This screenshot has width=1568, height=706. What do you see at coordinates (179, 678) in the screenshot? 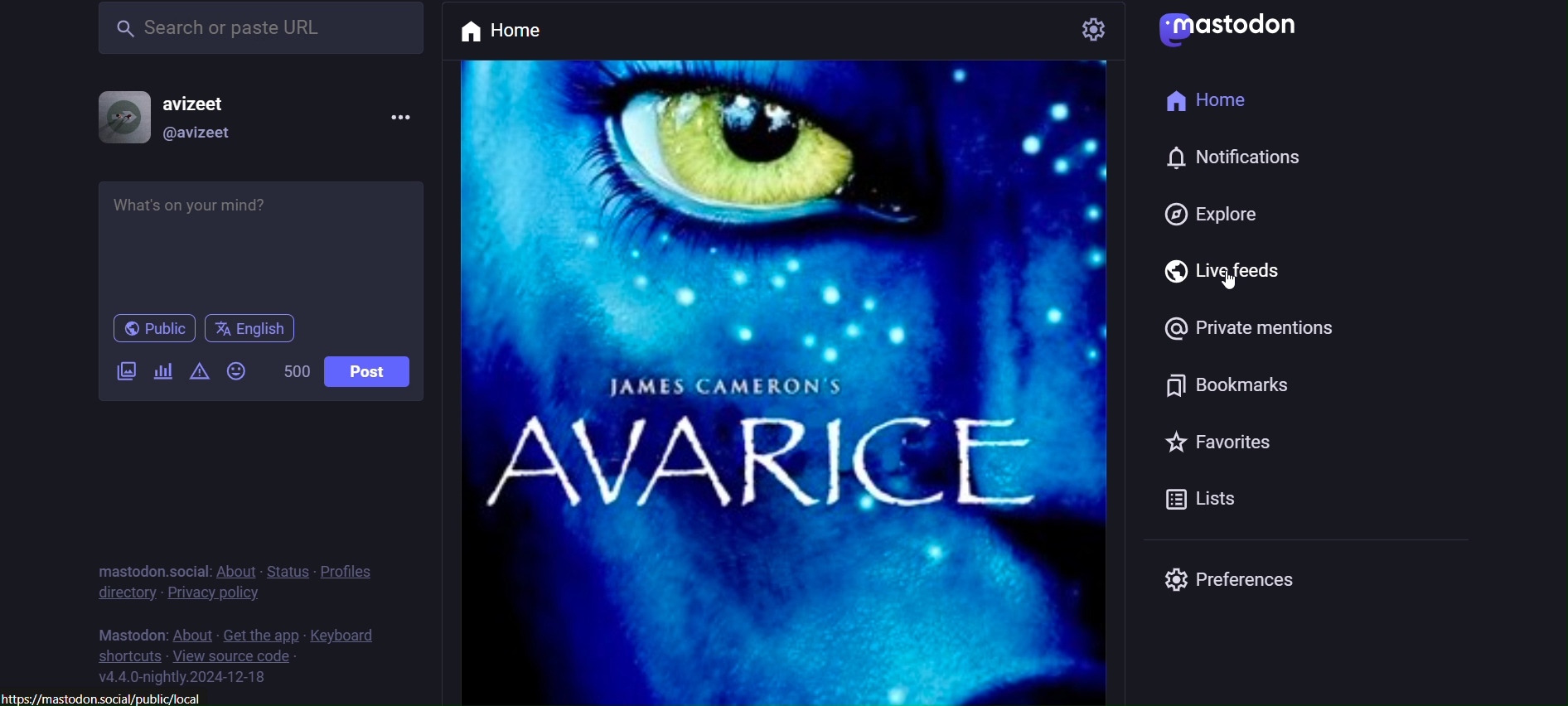
I see `version` at bounding box center [179, 678].